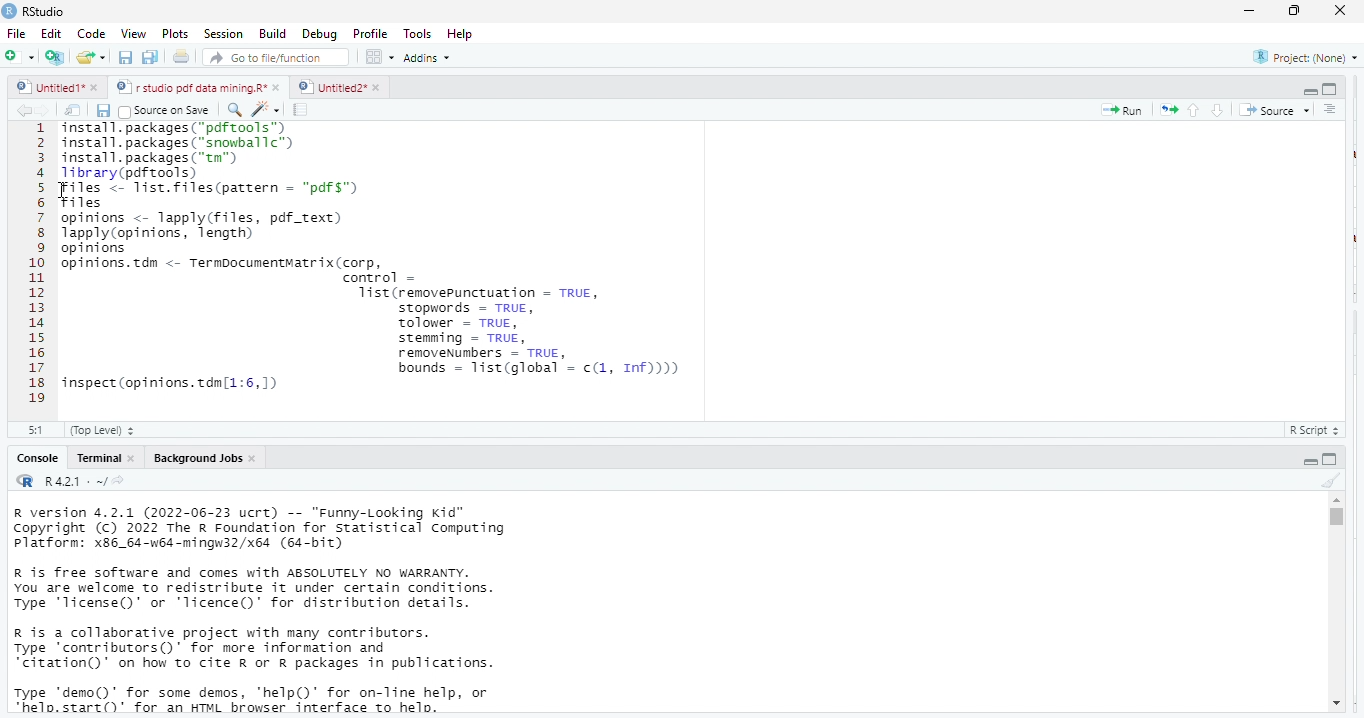 The width and height of the screenshot is (1364, 718). I want to click on show in new window, so click(75, 110).